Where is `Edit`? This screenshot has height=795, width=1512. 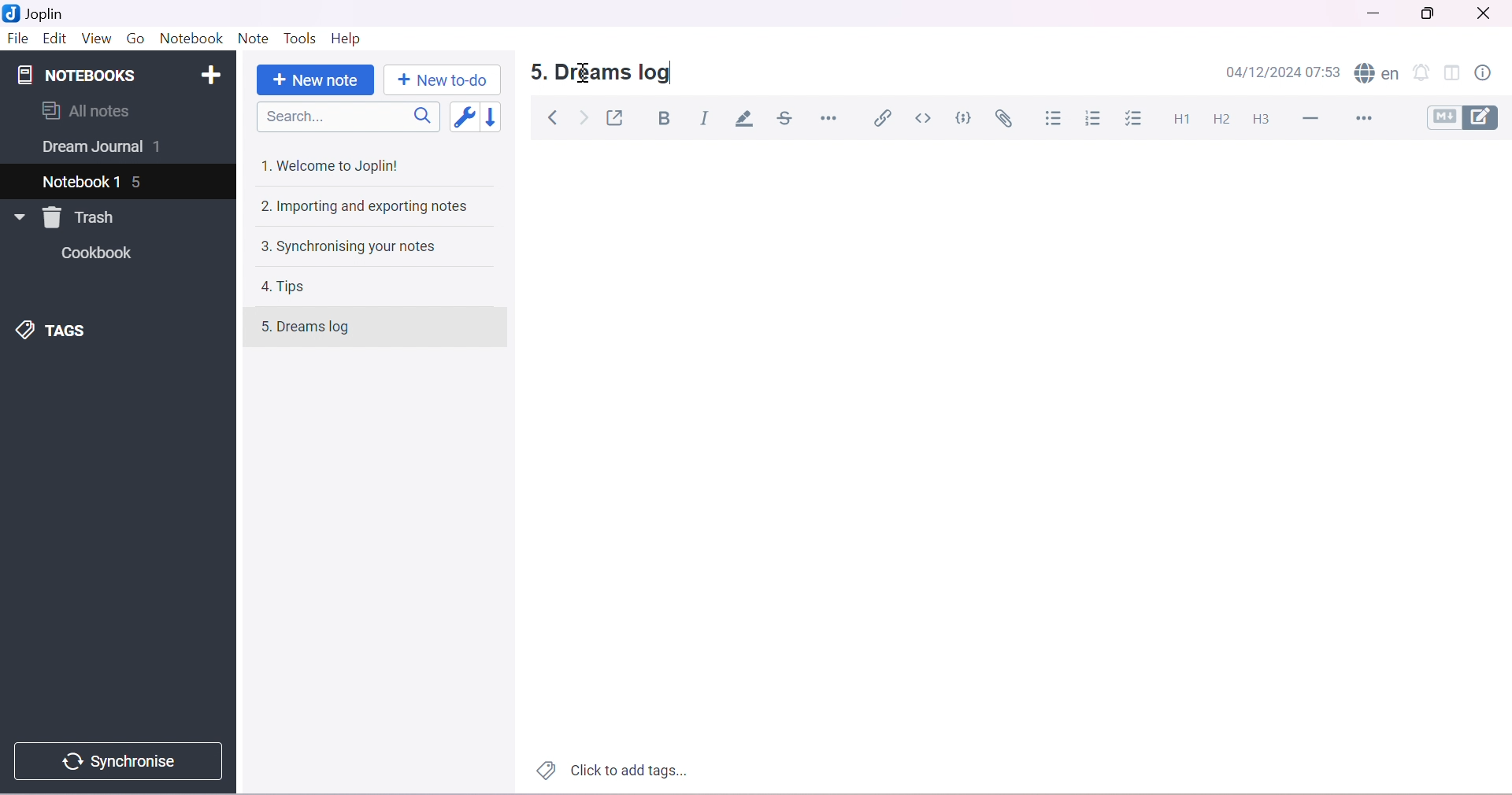
Edit is located at coordinates (54, 39).